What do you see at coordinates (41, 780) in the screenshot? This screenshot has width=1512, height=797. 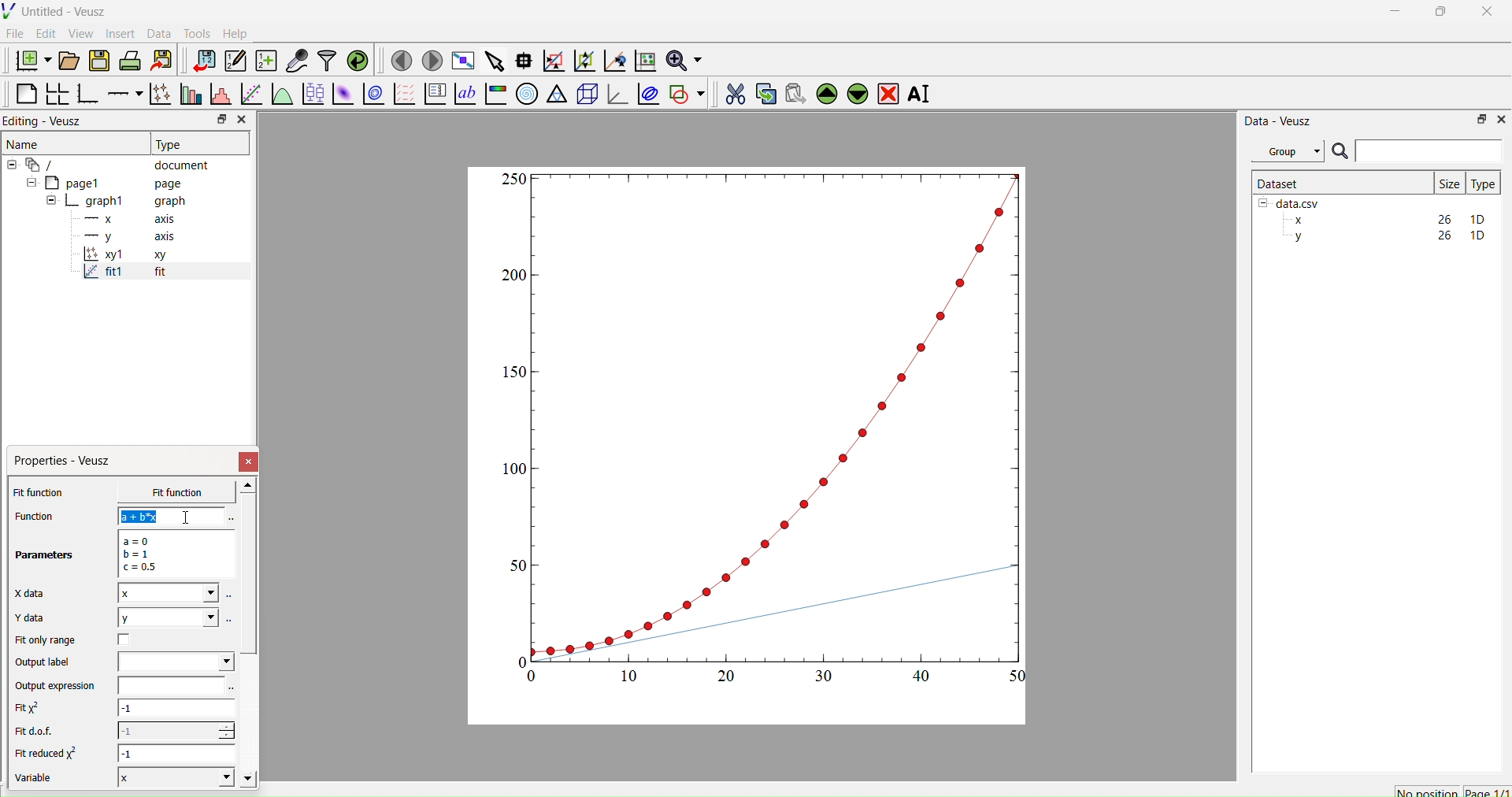 I see `Variable` at bounding box center [41, 780].